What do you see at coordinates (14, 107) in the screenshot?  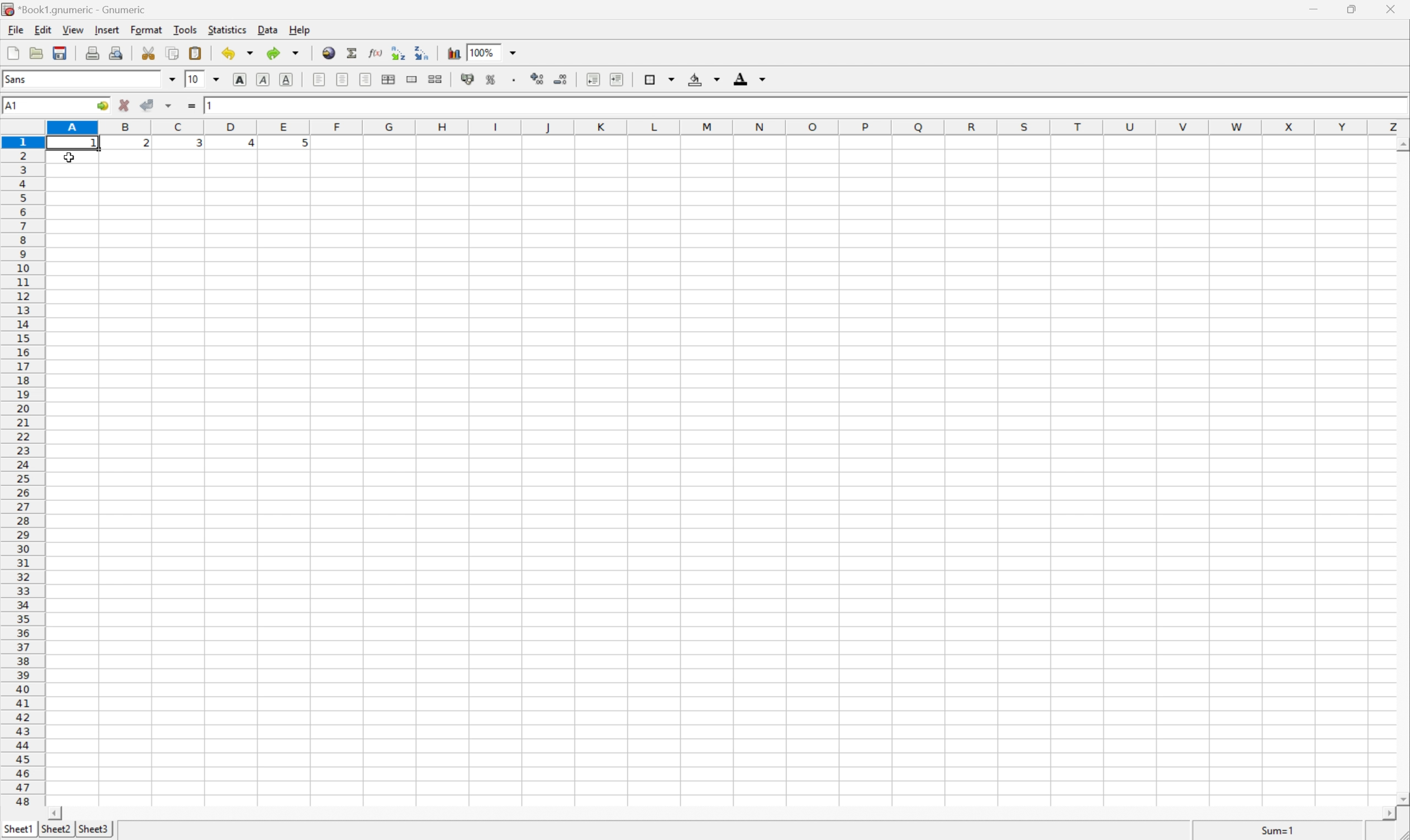 I see `A1` at bounding box center [14, 107].